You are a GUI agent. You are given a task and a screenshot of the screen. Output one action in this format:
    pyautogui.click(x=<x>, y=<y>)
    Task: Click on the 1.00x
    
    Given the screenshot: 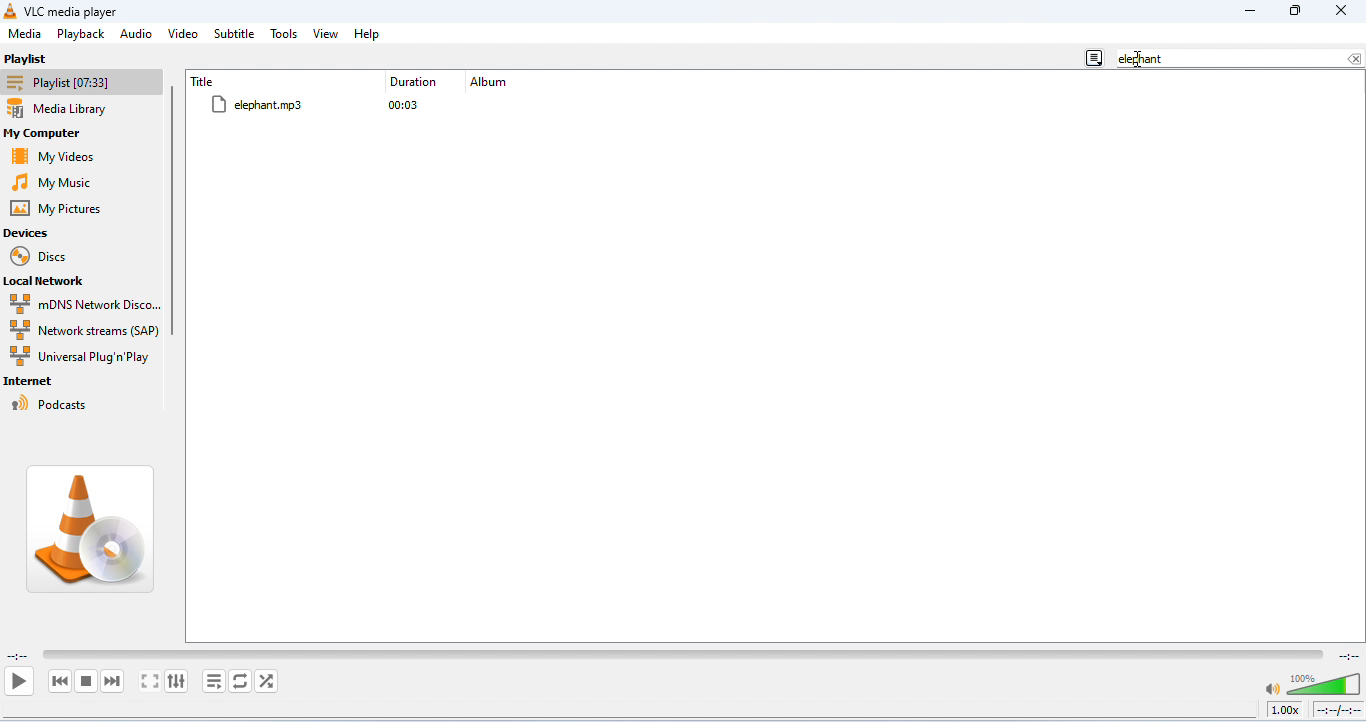 What is the action you would take?
    pyautogui.click(x=1284, y=709)
    